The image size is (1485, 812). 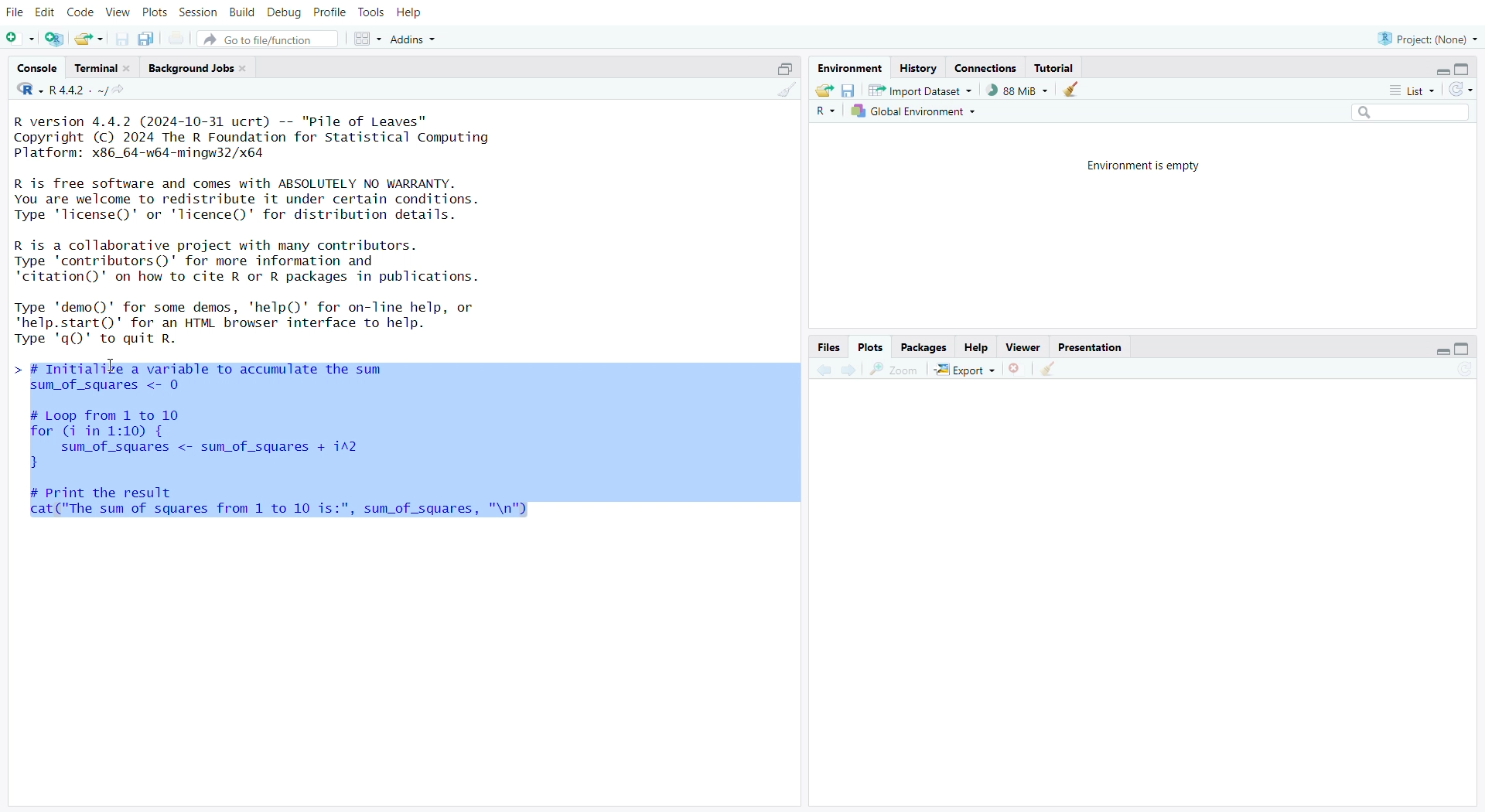 What do you see at coordinates (91, 40) in the screenshot?
I see `open an existing file` at bounding box center [91, 40].